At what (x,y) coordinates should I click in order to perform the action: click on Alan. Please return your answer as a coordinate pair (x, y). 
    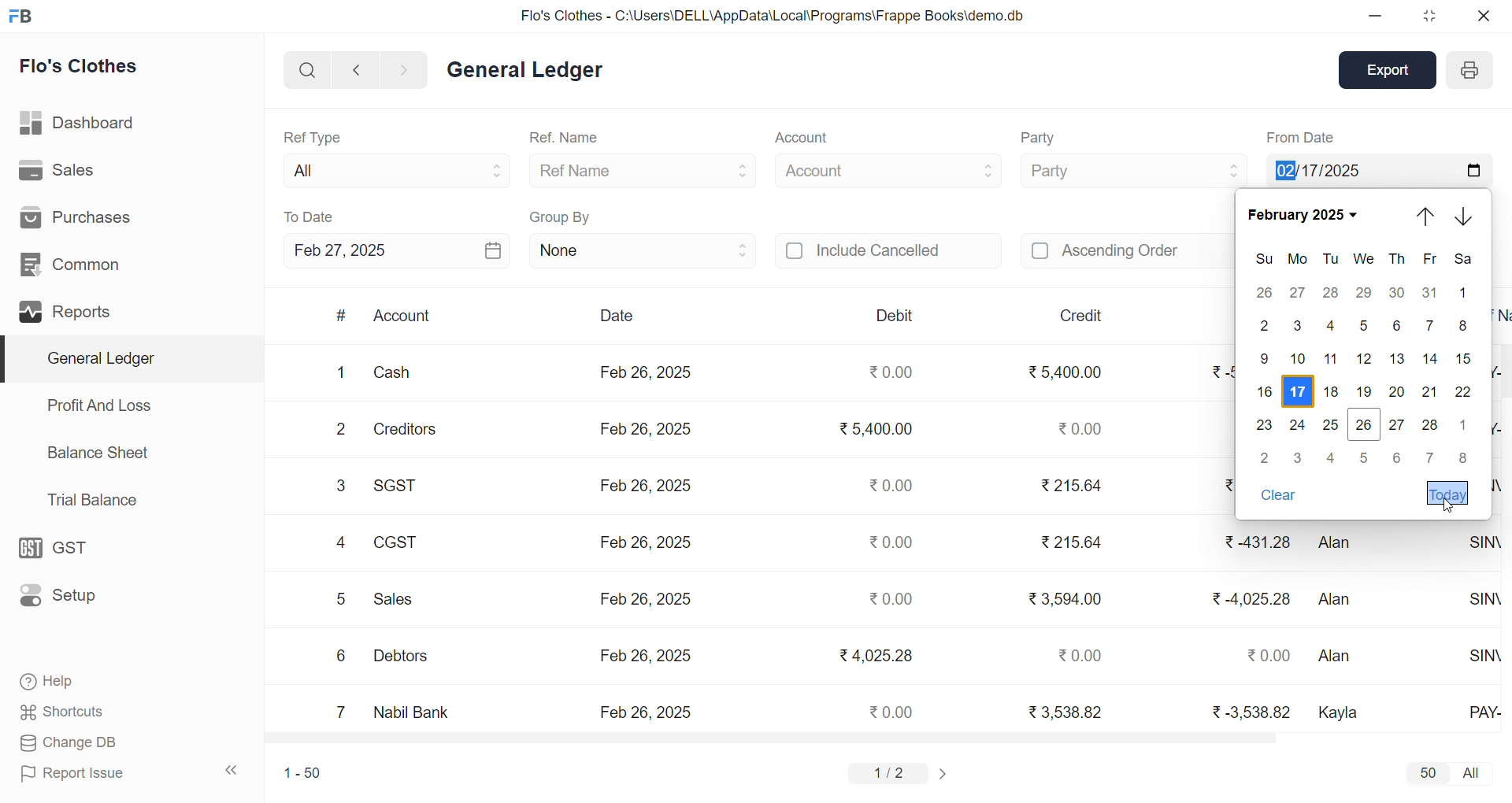
    Looking at the image, I should click on (1342, 543).